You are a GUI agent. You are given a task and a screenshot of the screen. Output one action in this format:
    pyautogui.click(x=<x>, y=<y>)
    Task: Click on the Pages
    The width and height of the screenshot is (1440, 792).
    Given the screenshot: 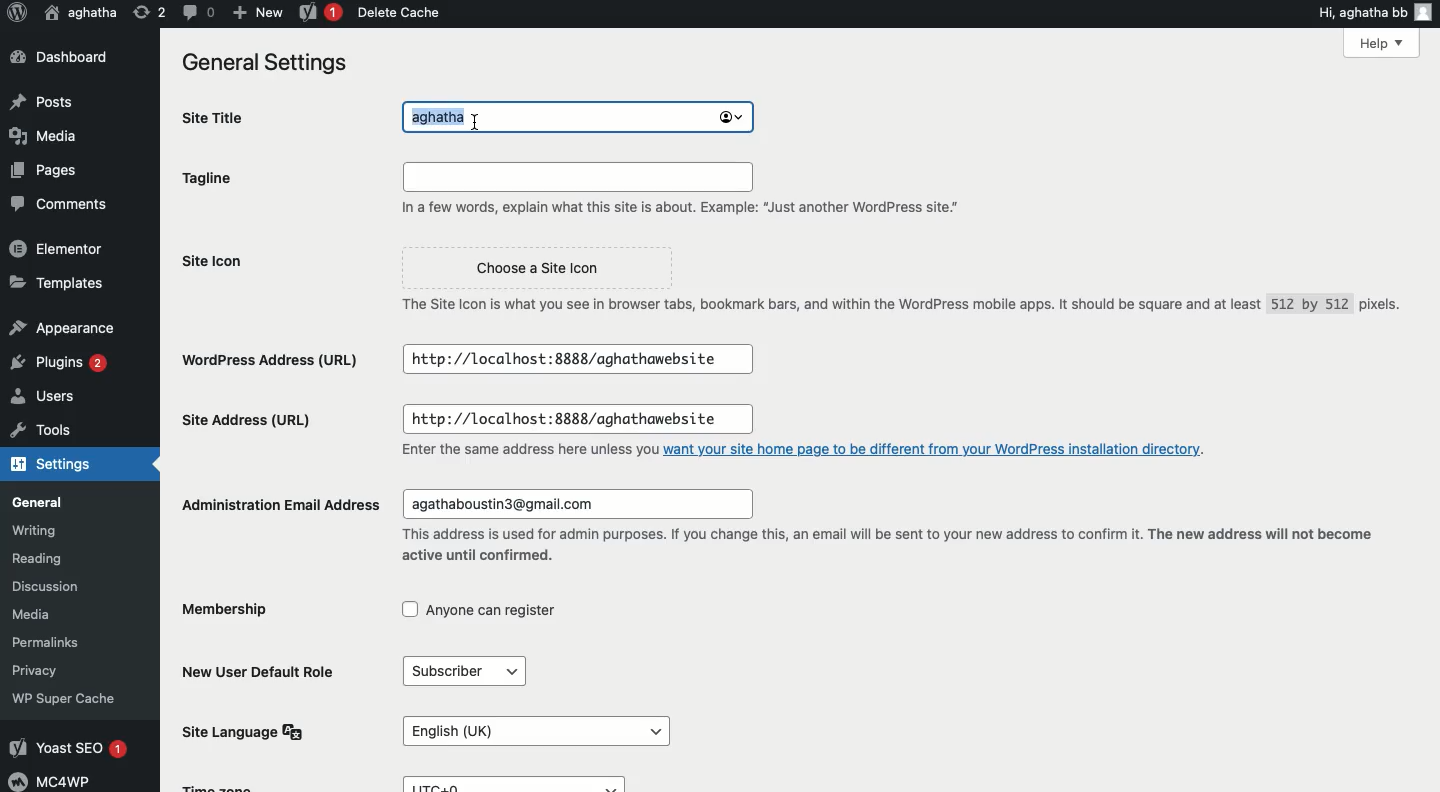 What is the action you would take?
    pyautogui.click(x=44, y=168)
    